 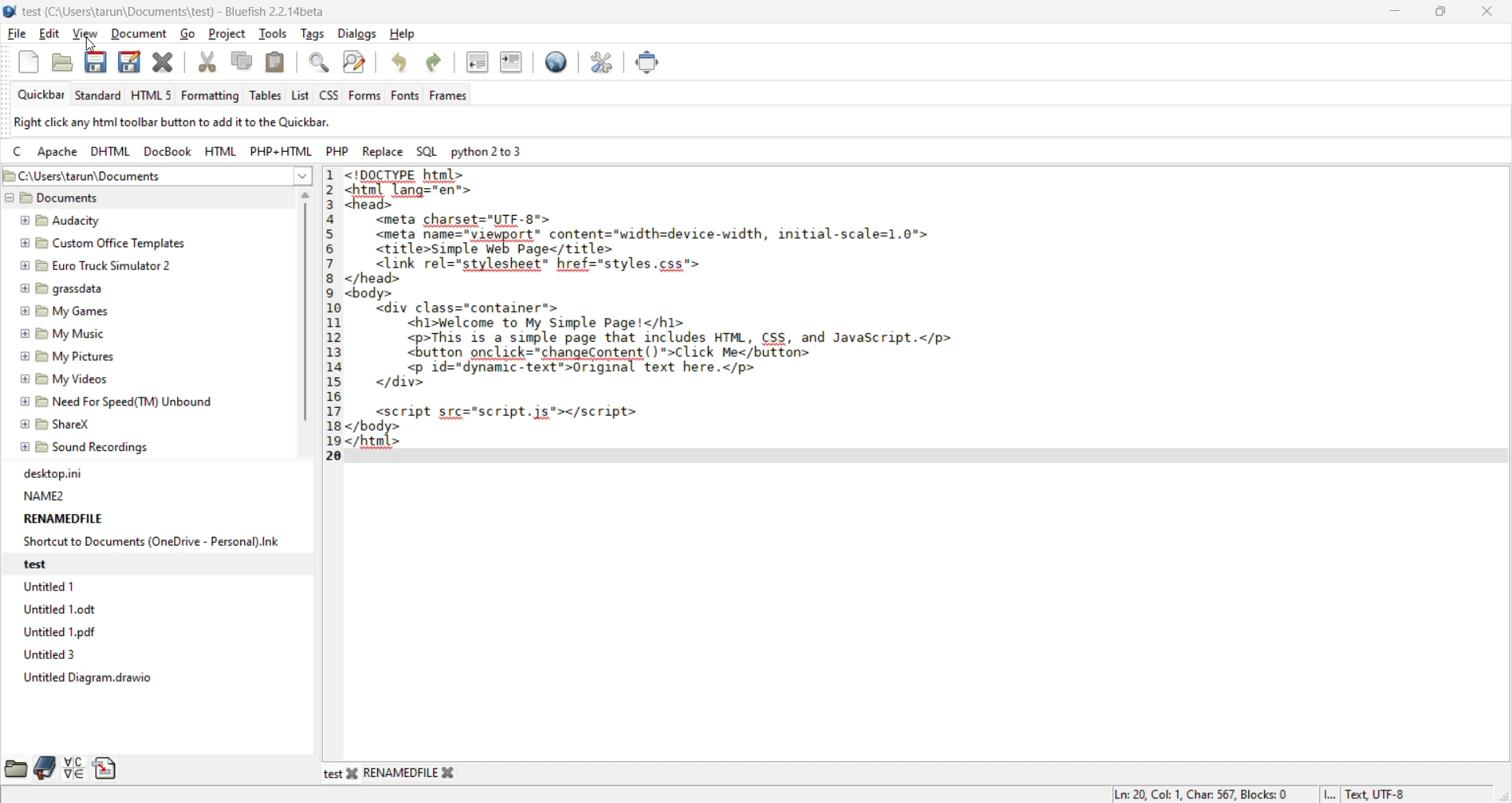 What do you see at coordinates (62, 380) in the screenshot?
I see `& 9 My Videos` at bounding box center [62, 380].